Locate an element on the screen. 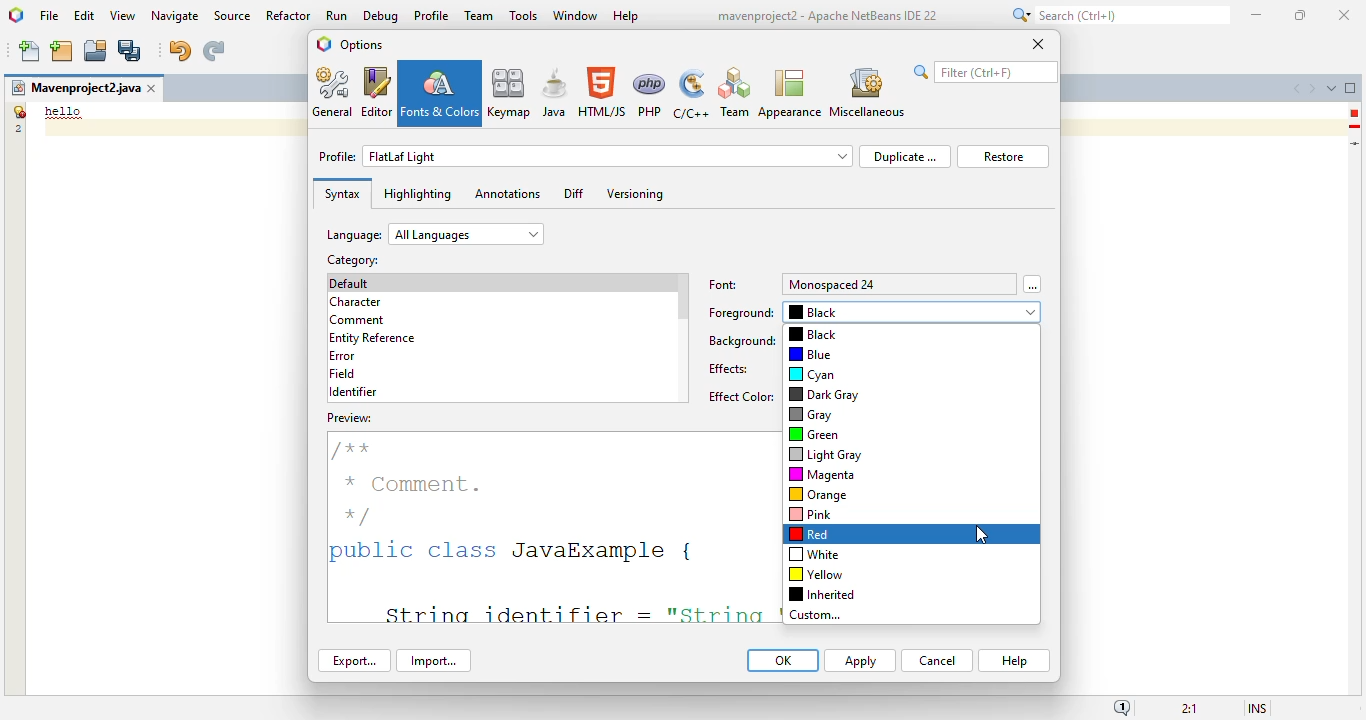  save all is located at coordinates (130, 51).